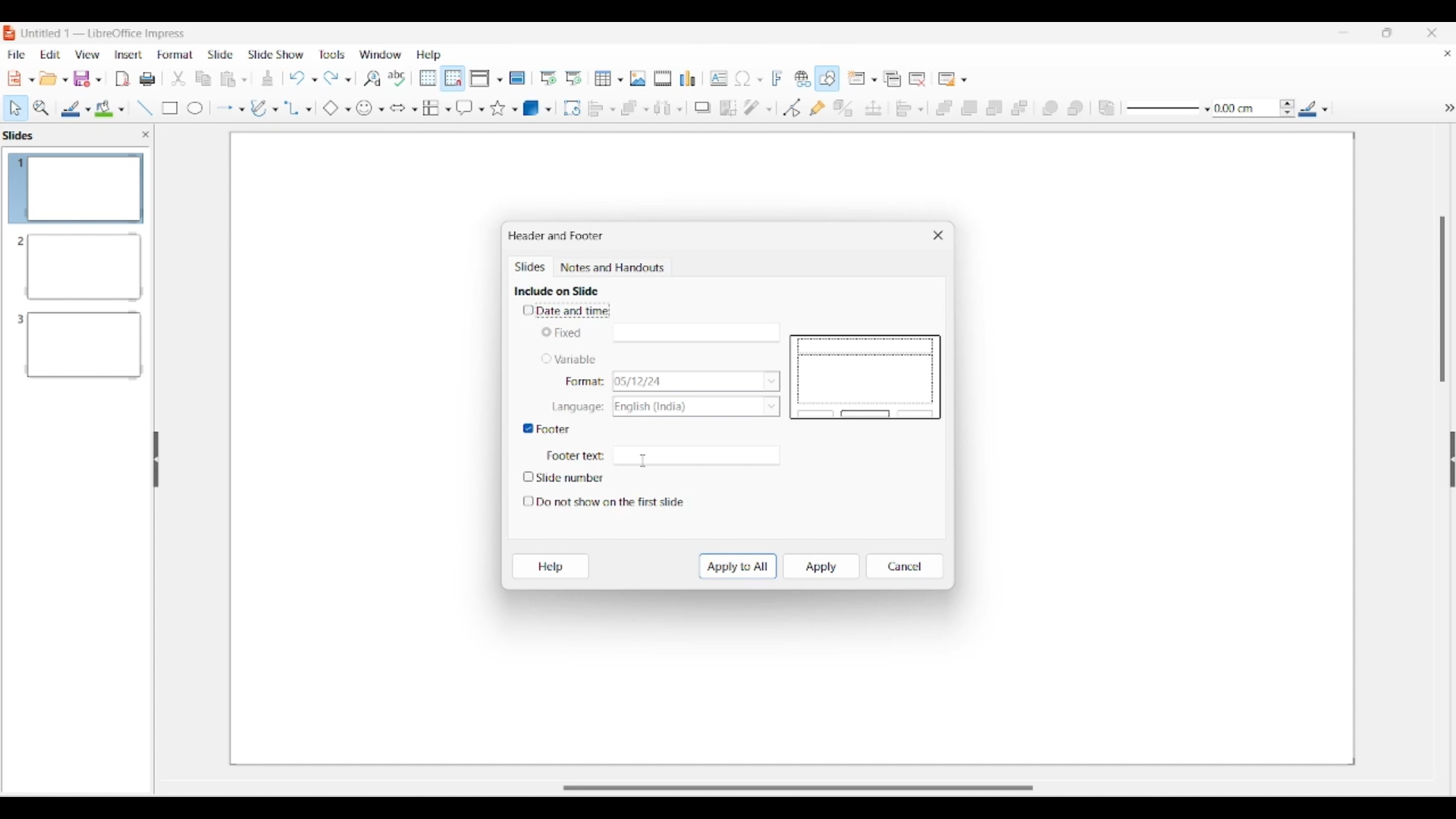 This screenshot has width=1456, height=819. What do you see at coordinates (175, 55) in the screenshot?
I see `Format menu` at bounding box center [175, 55].